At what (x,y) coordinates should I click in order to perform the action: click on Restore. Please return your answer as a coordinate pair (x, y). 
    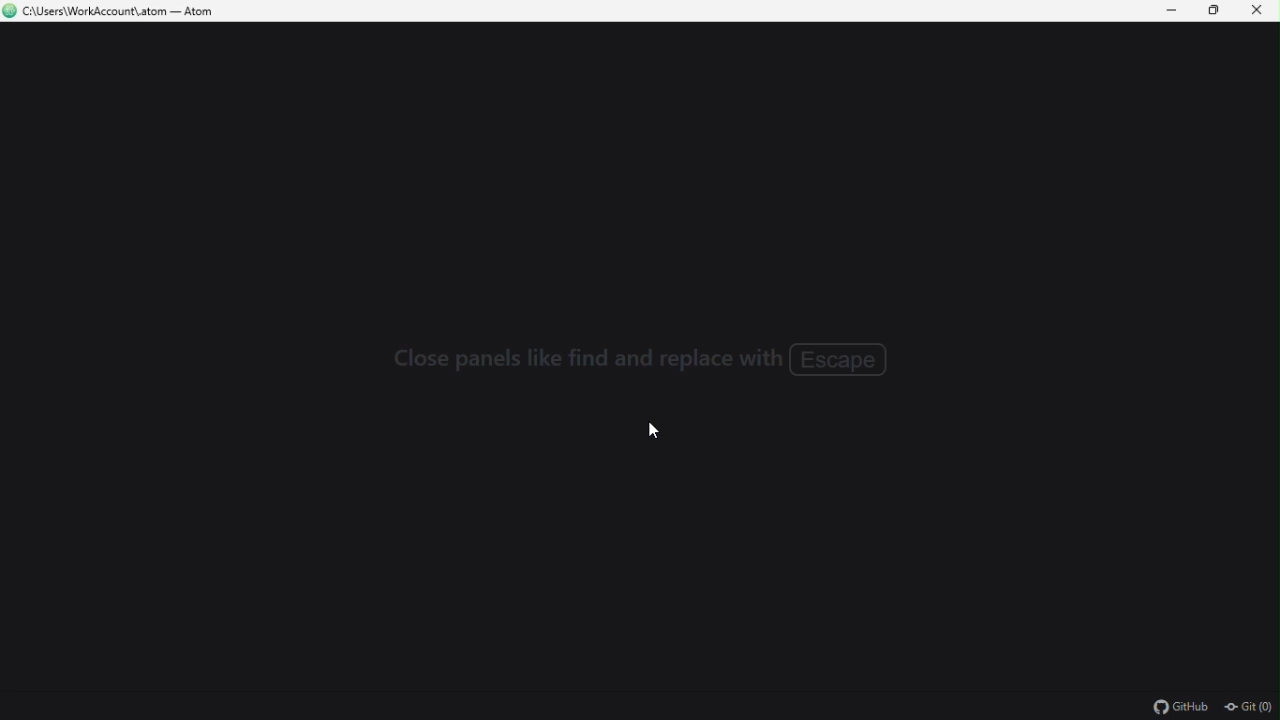
    Looking at the image, I should click on (1215, 13).